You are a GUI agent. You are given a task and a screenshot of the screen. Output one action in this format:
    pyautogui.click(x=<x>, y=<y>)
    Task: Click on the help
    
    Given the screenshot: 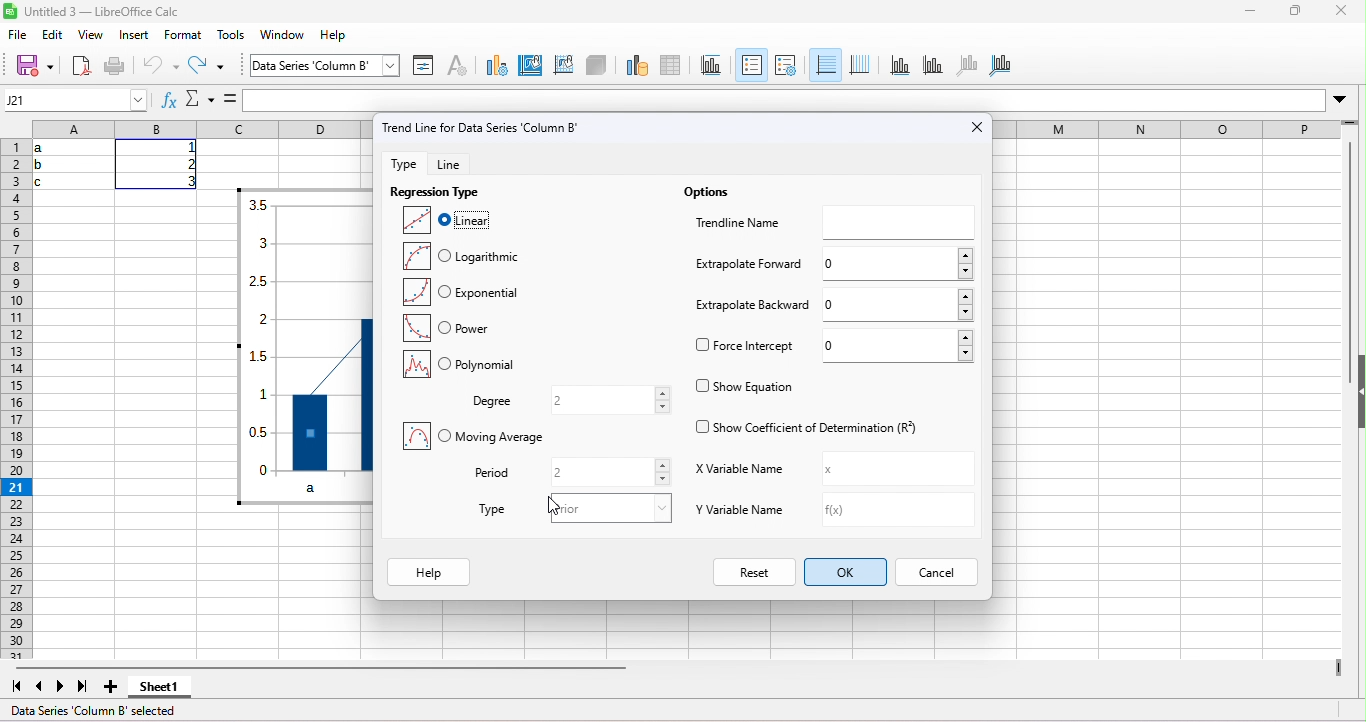 What is the action you would take?
    pyautogui.click(x=345, y=38)
    